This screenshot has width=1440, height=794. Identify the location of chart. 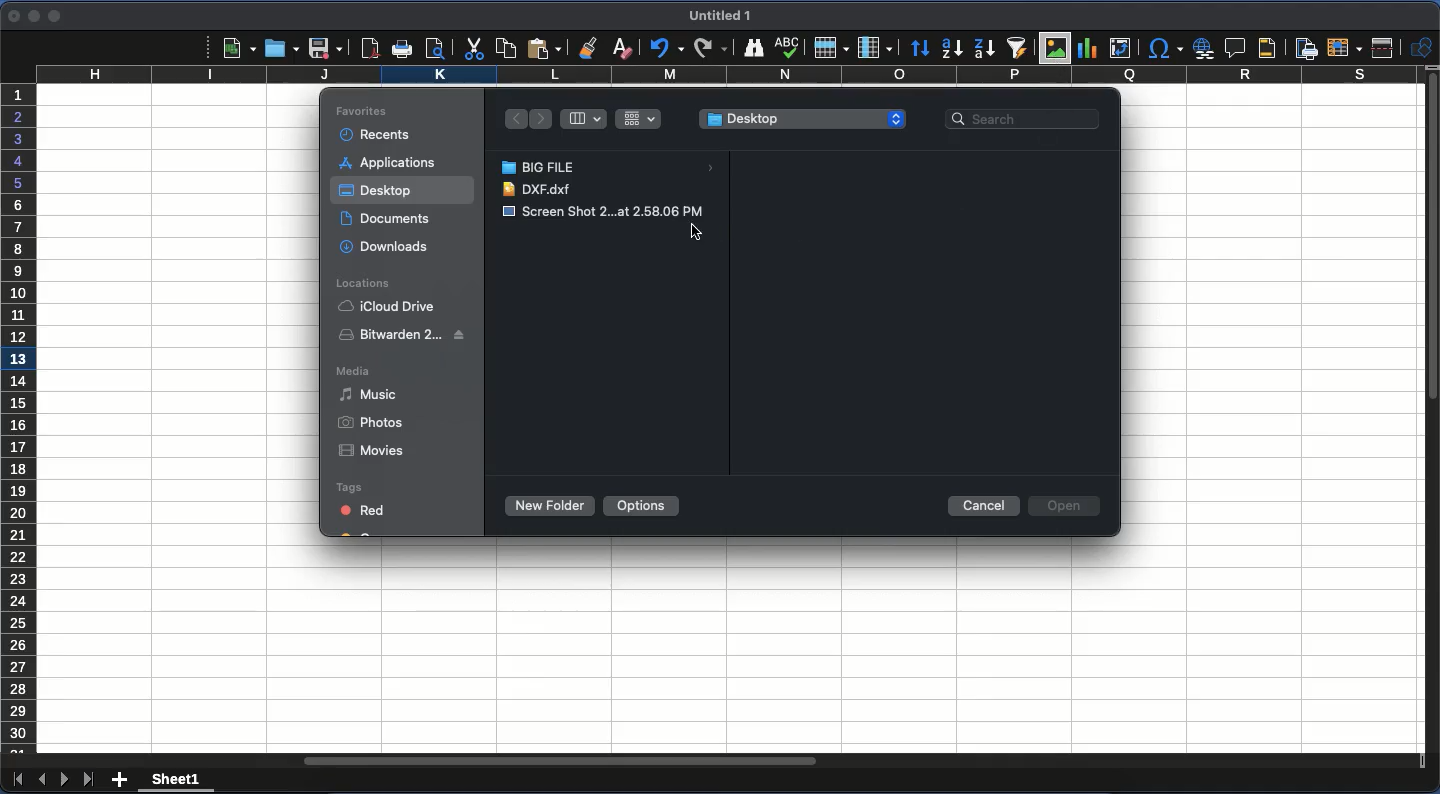
(1088, 49).